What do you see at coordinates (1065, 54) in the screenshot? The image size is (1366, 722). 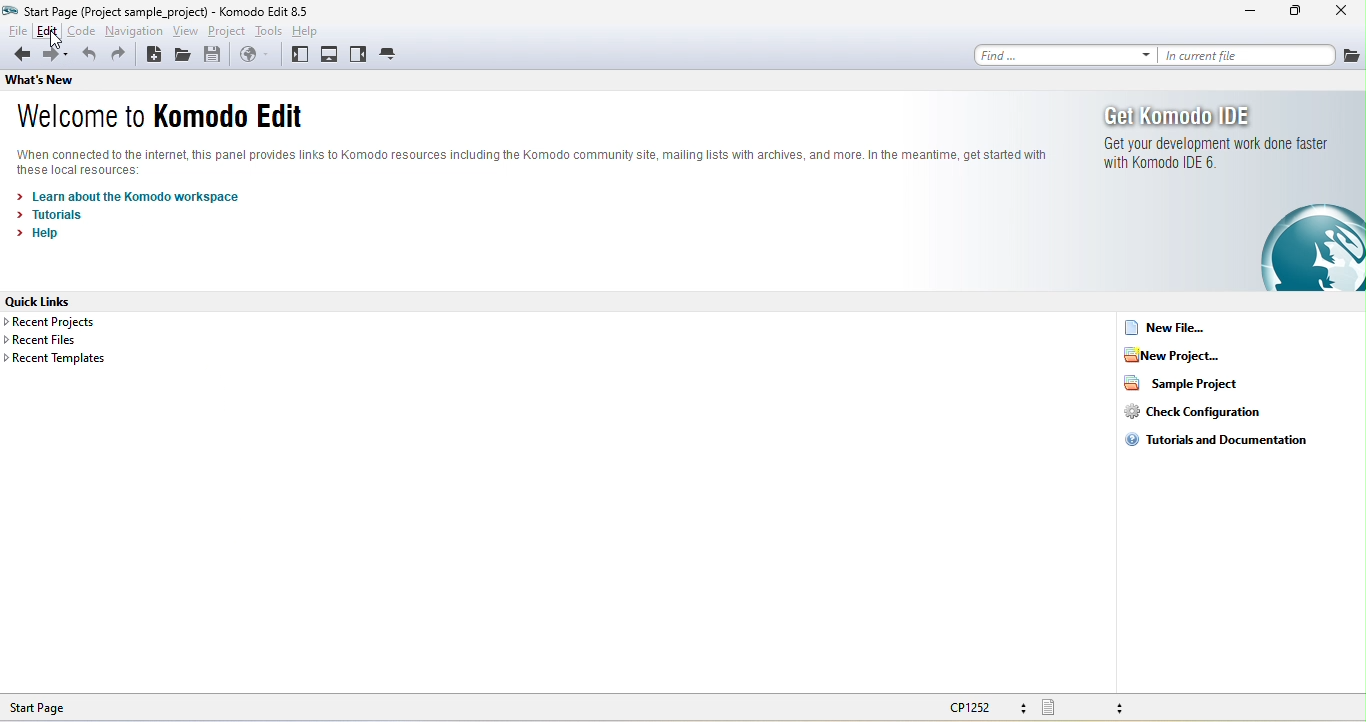 I see `find` at bounding box center [1065, 54].